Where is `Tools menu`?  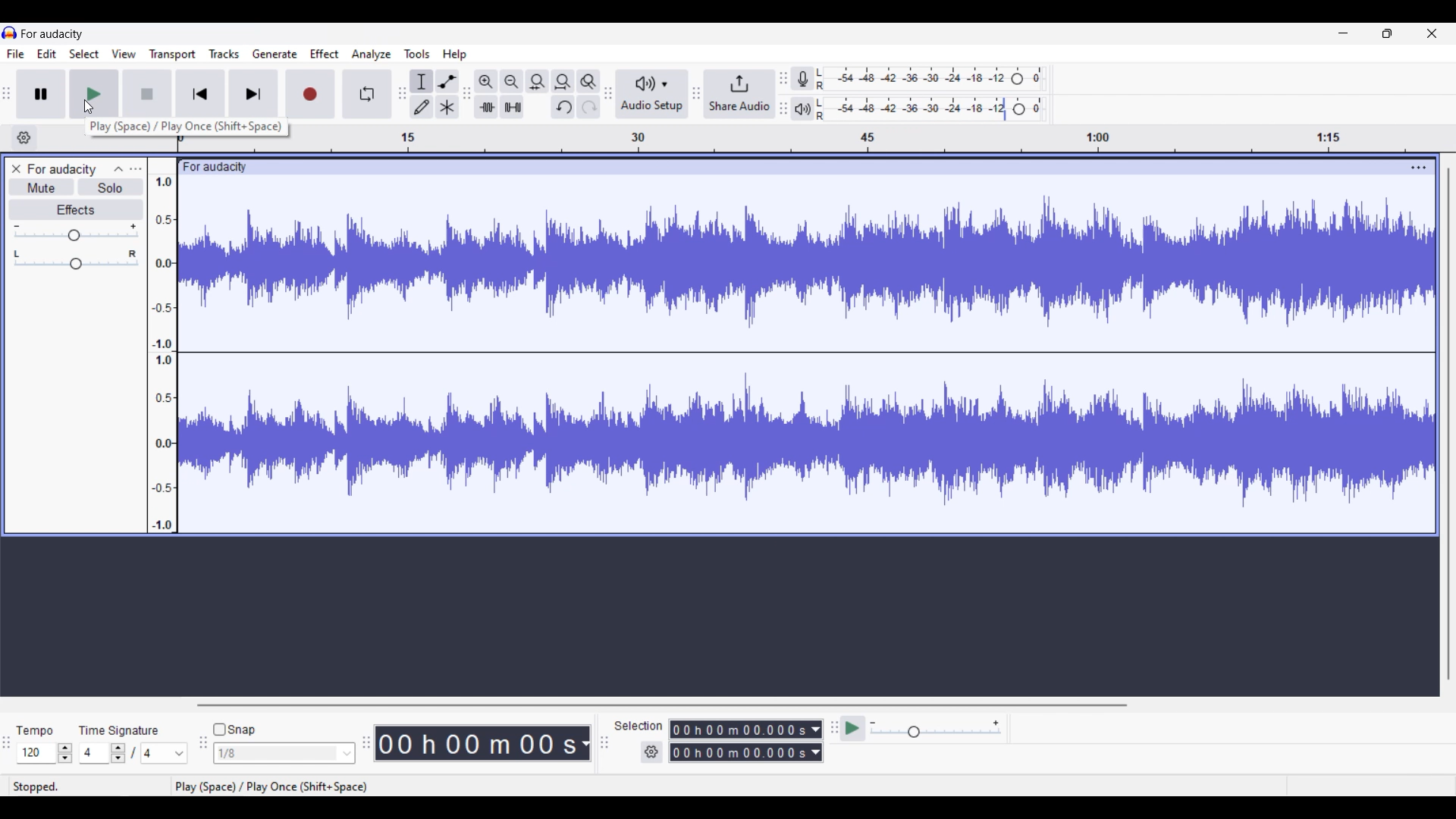 Tools menu is located at coordinates (417, 53).